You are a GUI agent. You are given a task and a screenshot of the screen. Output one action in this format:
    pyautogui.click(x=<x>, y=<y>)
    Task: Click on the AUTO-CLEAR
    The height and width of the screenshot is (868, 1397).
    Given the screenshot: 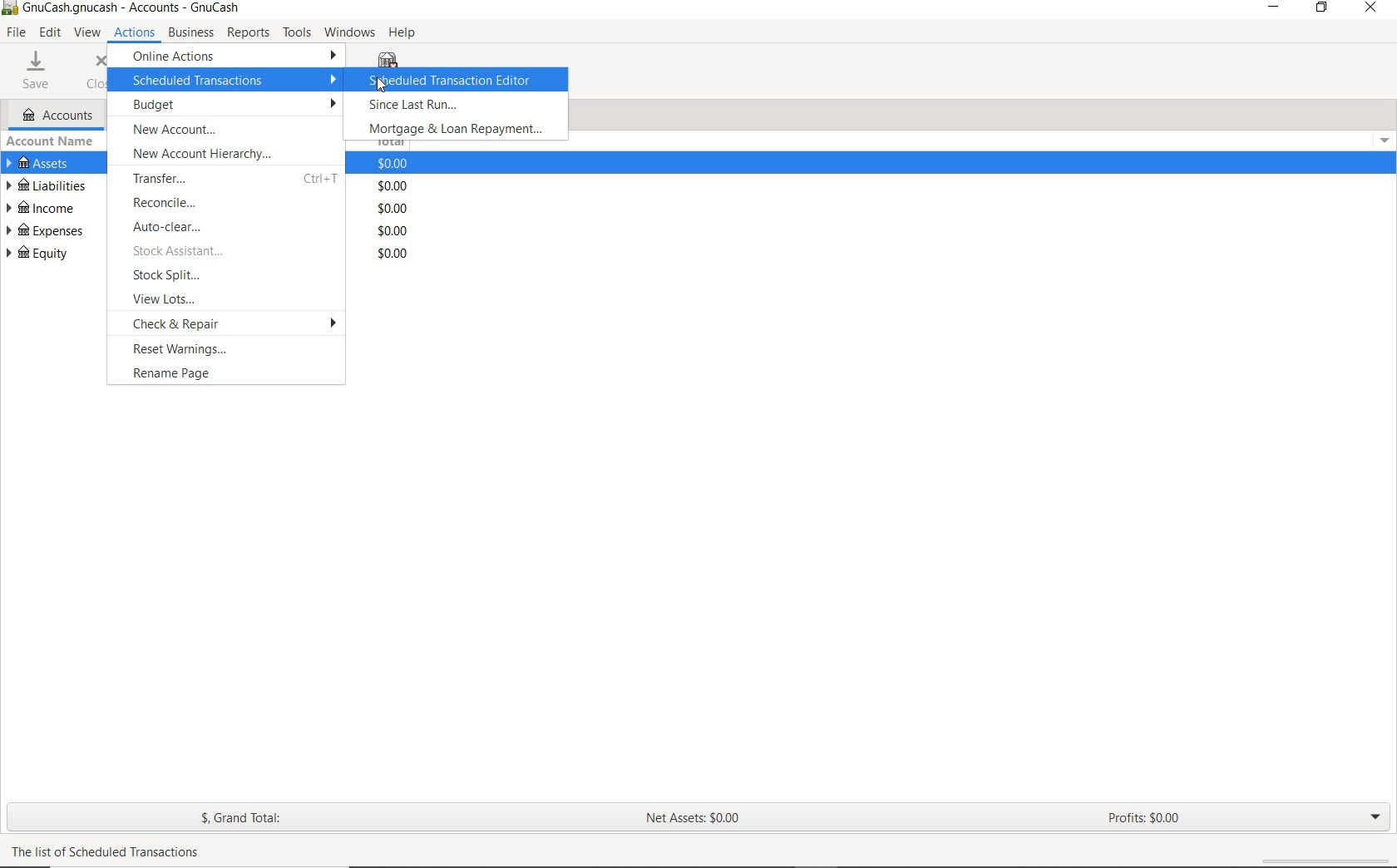 What is the action you would take?
    pyautogui.click(x=233, y=228)
    